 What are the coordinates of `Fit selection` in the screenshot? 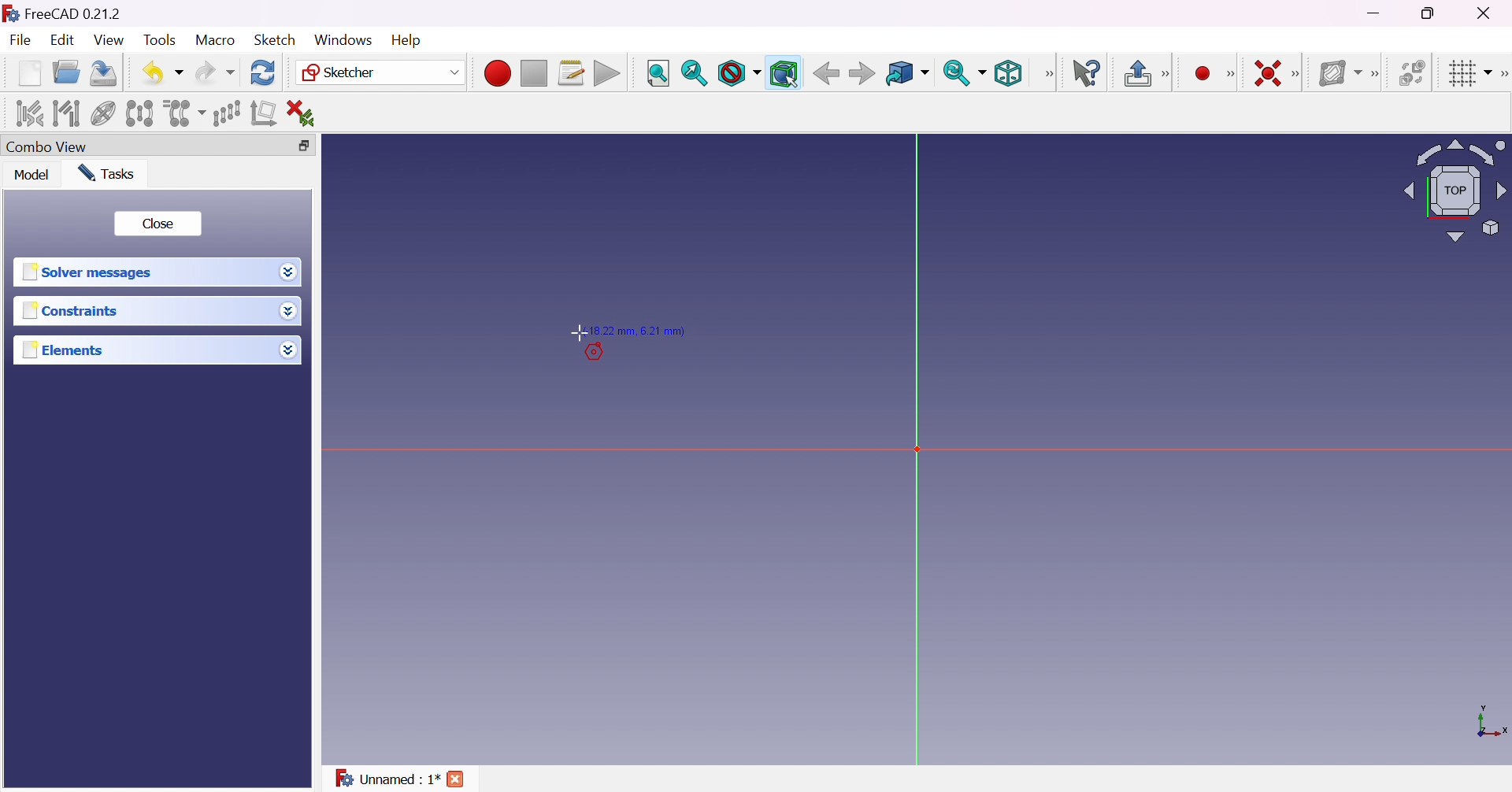 It's located at (695, 73).